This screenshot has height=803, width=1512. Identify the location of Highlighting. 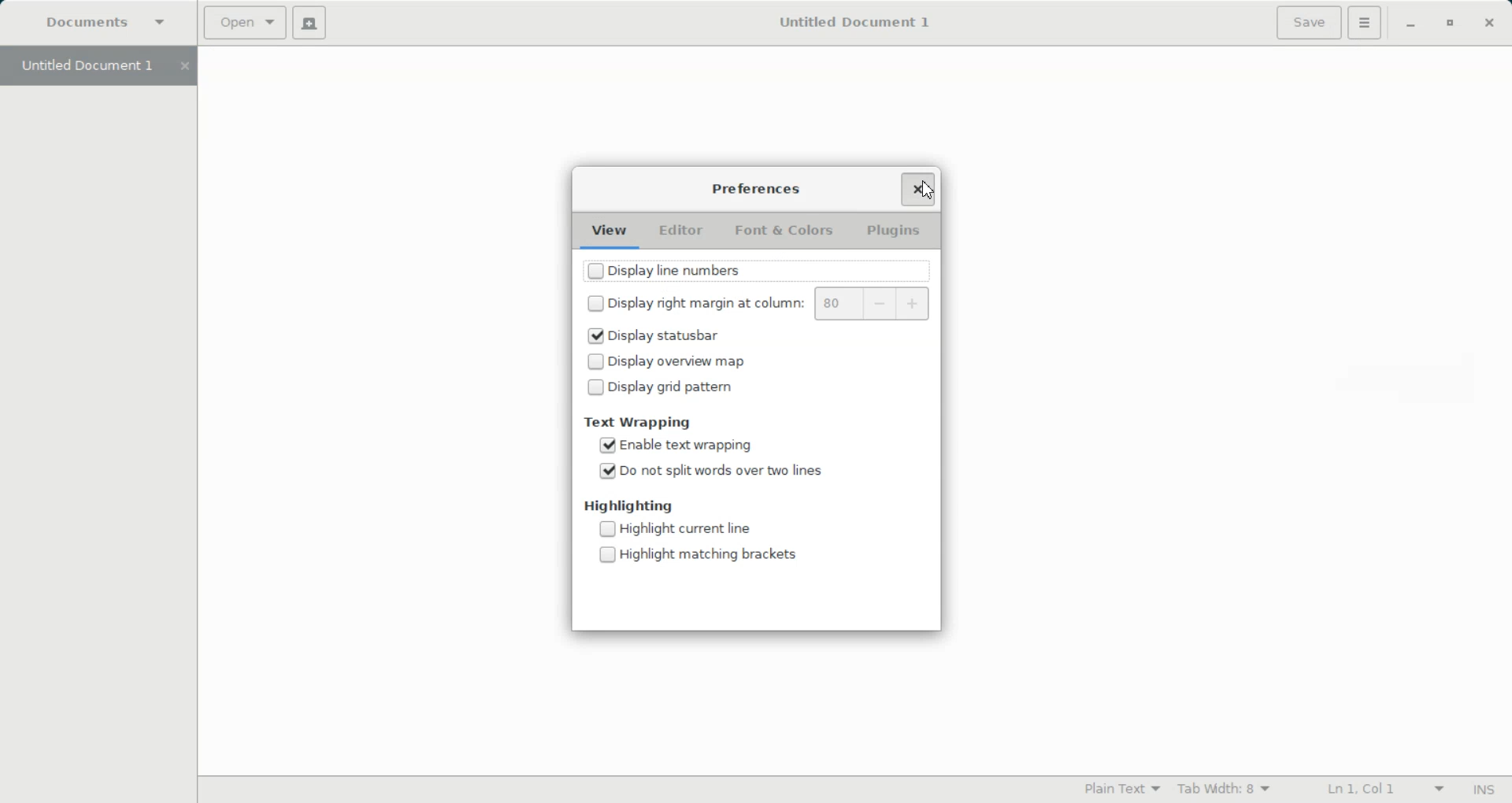
(629, 506).